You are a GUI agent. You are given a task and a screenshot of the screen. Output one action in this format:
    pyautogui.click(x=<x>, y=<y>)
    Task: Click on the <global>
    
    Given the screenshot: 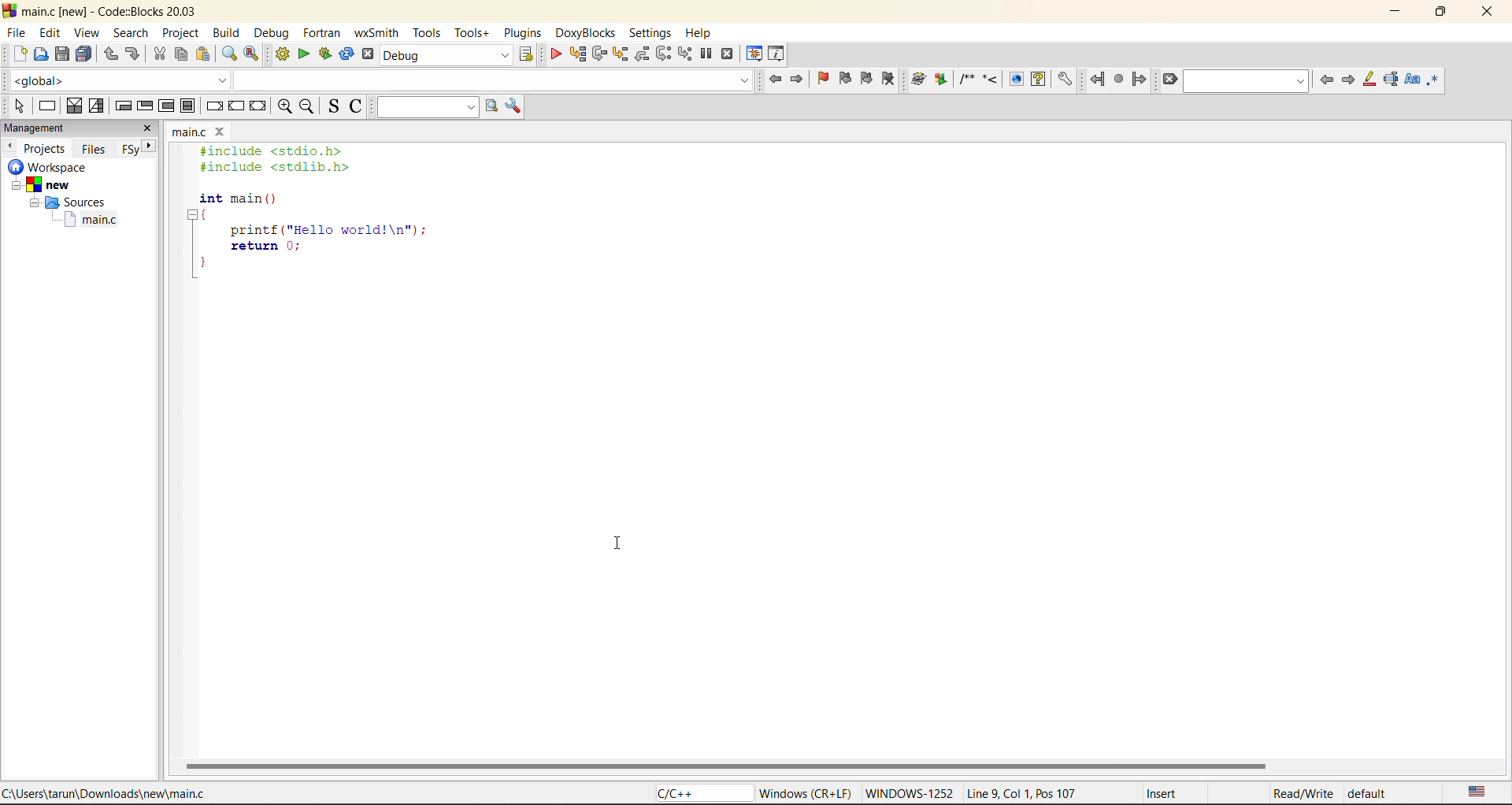 What is the action you would take?
    pyautogui.click(x=118, y=80)
    